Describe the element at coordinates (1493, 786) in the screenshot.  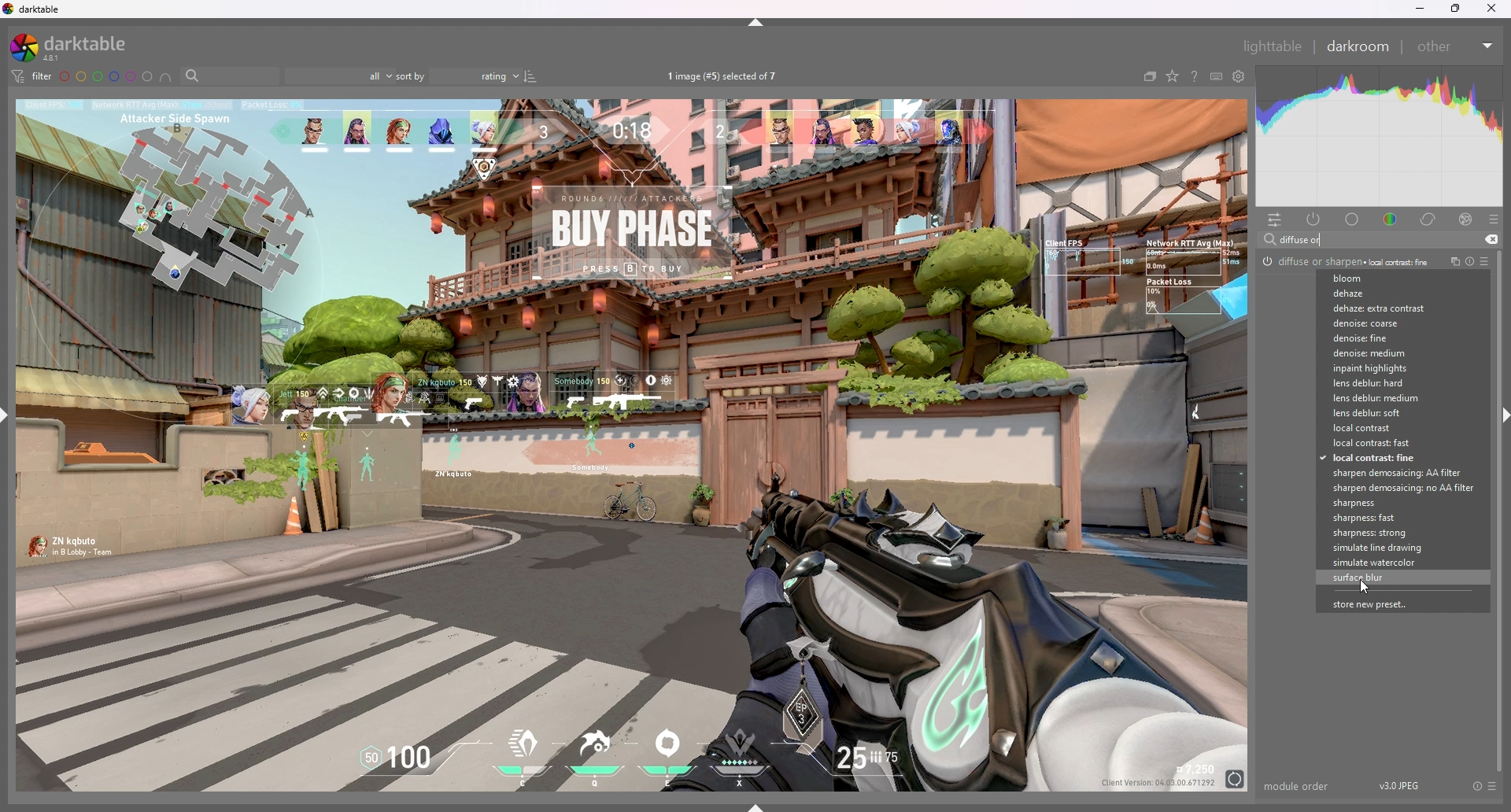
I see `presets` at that location.